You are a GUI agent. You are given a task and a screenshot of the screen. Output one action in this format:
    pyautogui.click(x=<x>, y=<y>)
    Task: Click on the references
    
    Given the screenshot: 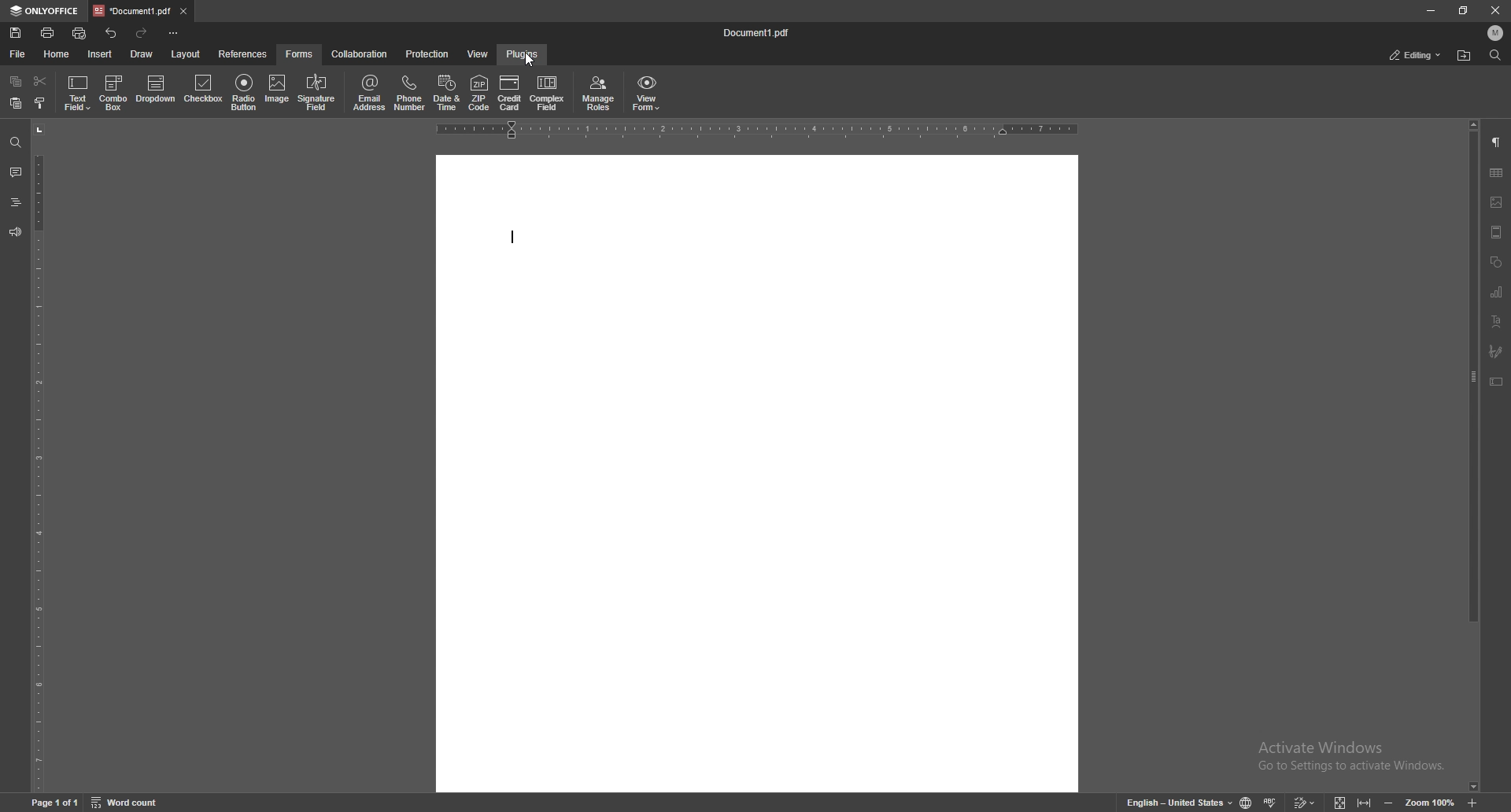 What is the action you would take?
    pyautogui.click(x=244, y=54)
    